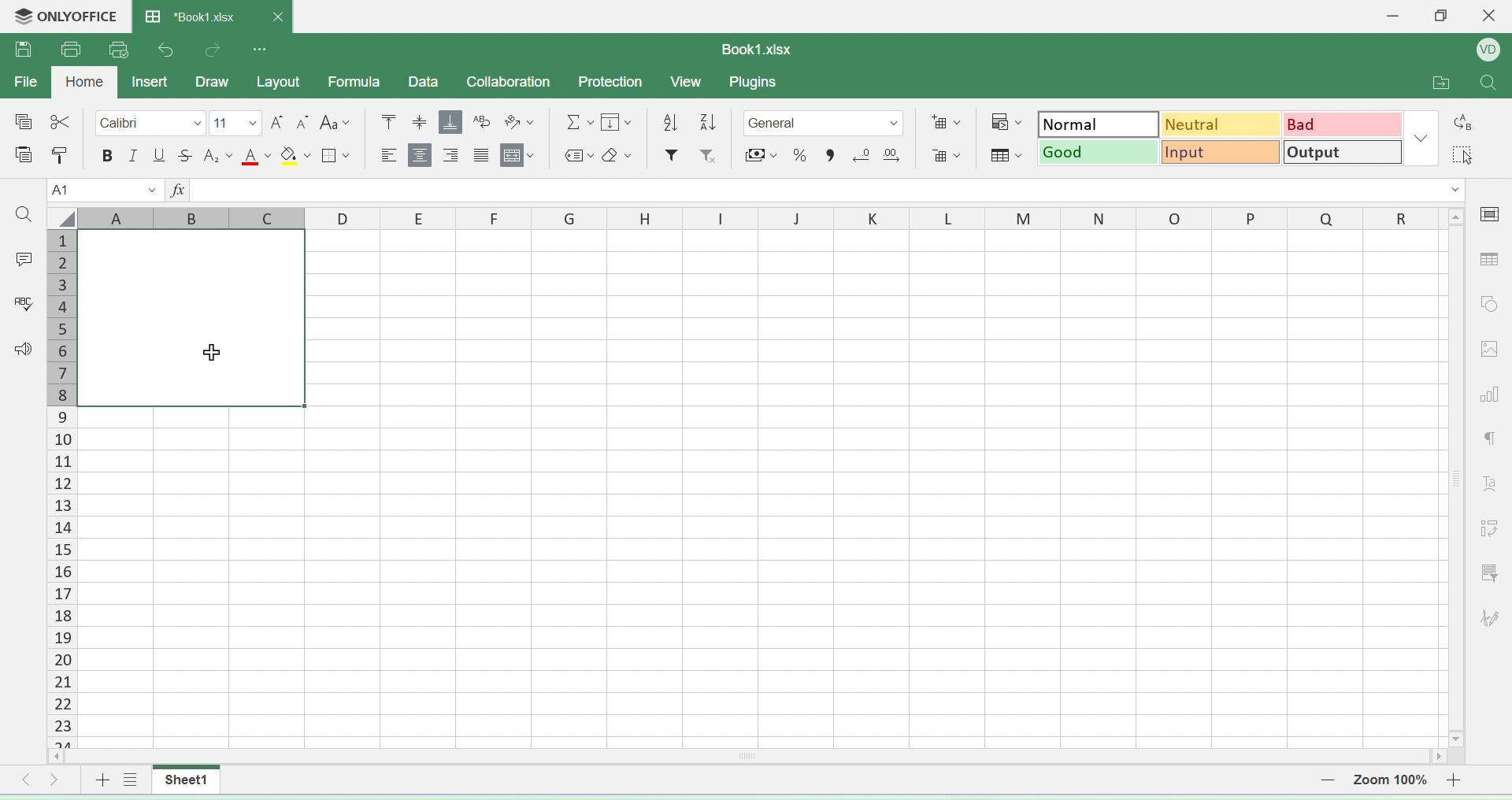 The height and width of the screenshot is (800, 1512). I want to click on format as table template, so click(1003, 153).